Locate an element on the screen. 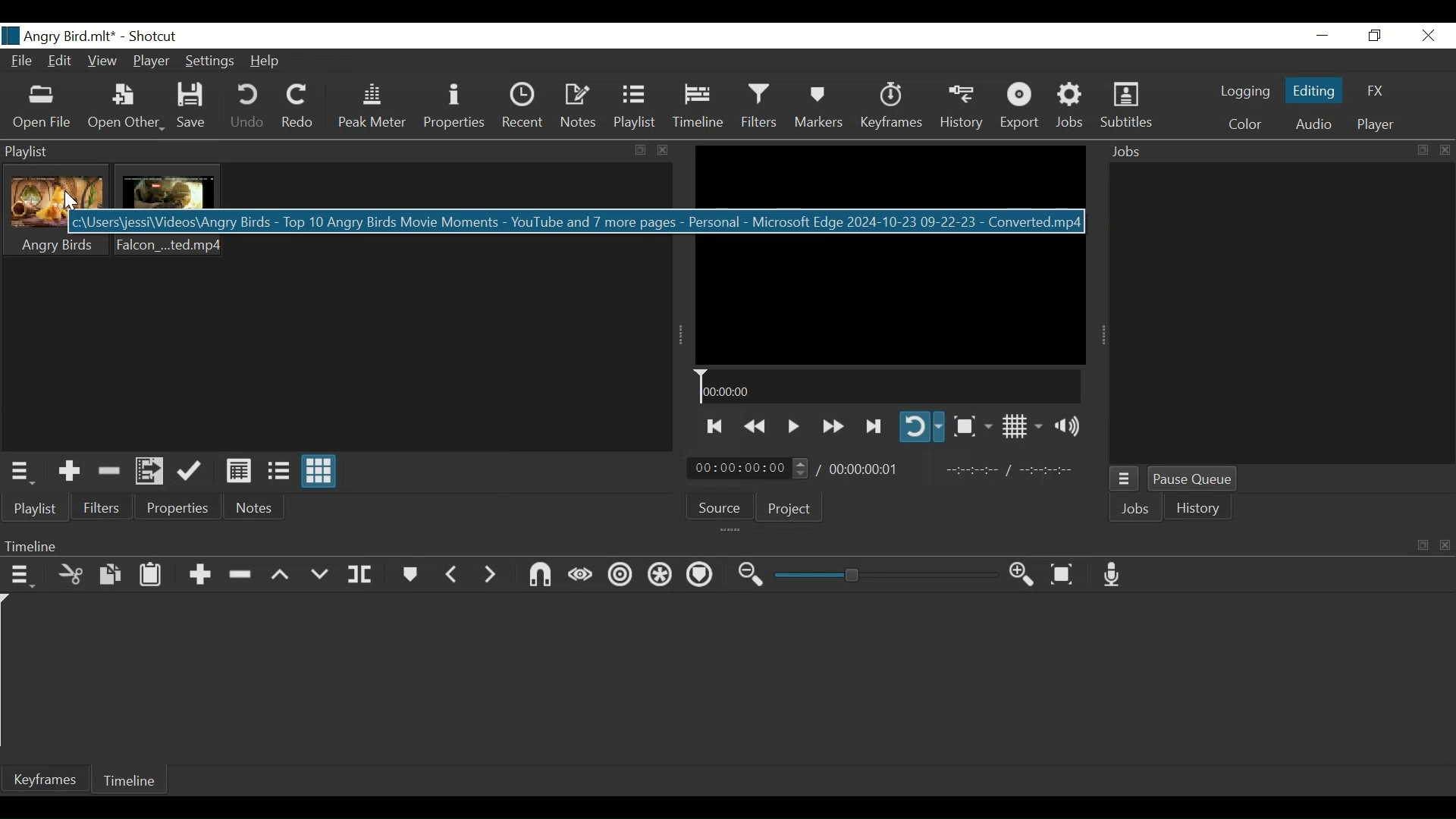 The width and height of the screenshot is (1456, 819). Copy is located at coordinates (108, 575).